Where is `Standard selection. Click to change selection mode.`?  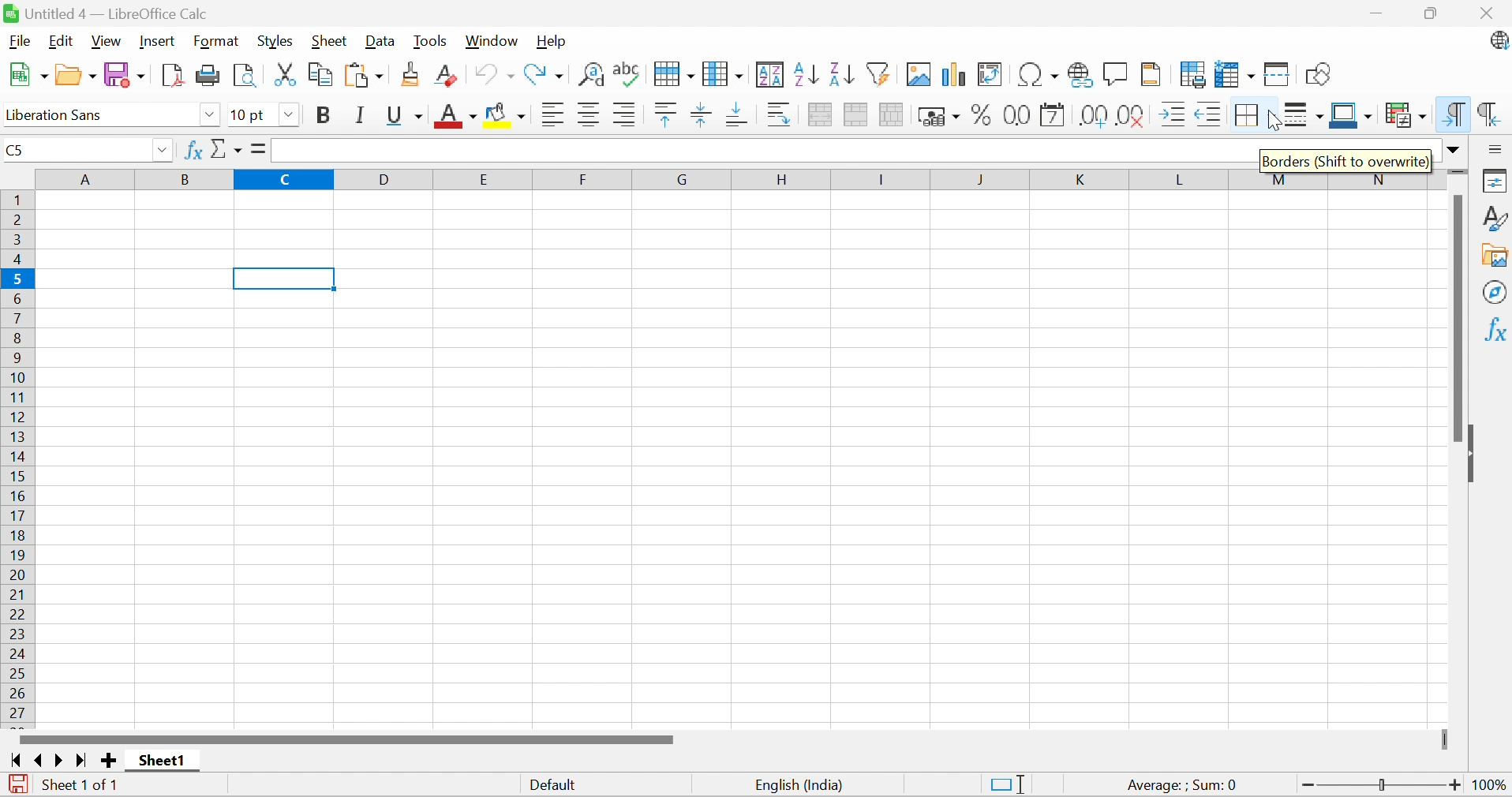 Standard selection. Click to change selection mode. is located at coordinates (1008, 784).